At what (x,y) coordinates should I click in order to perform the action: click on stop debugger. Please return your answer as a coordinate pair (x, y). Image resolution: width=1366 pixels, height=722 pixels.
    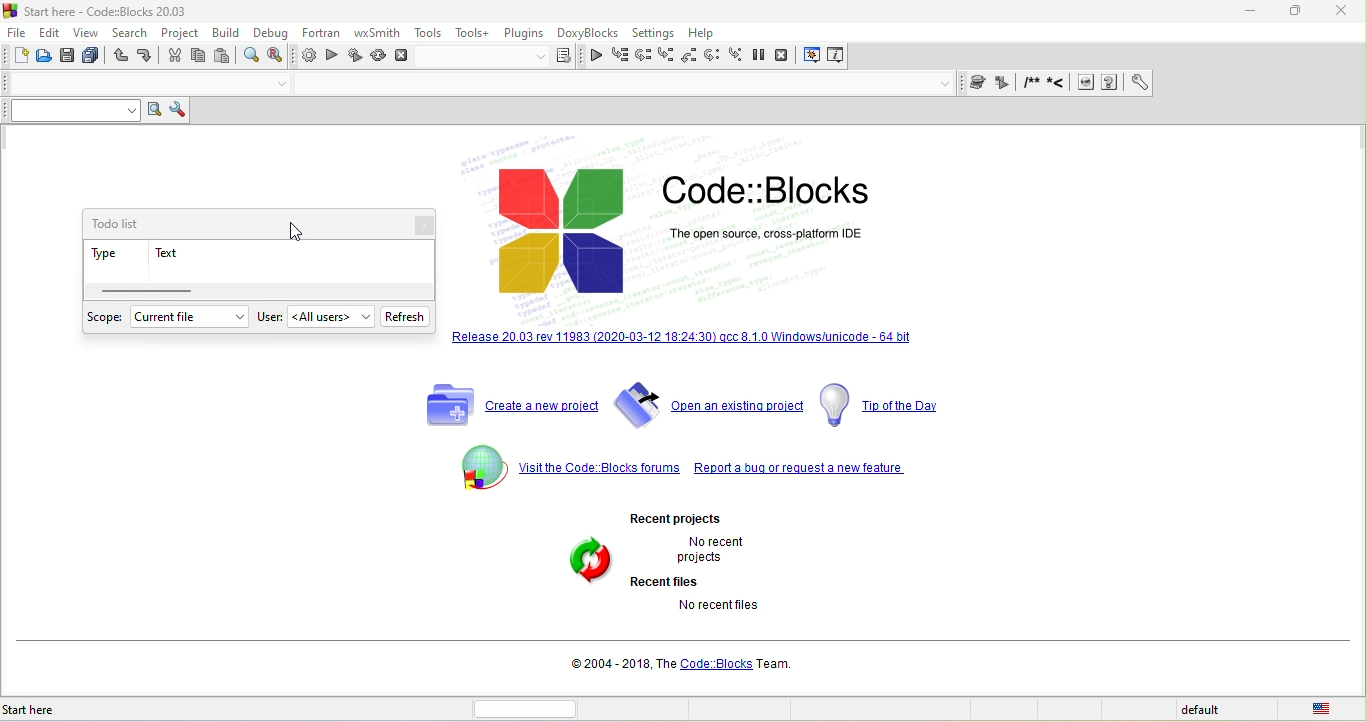
    Looking at the image, I should click on (788, 57).